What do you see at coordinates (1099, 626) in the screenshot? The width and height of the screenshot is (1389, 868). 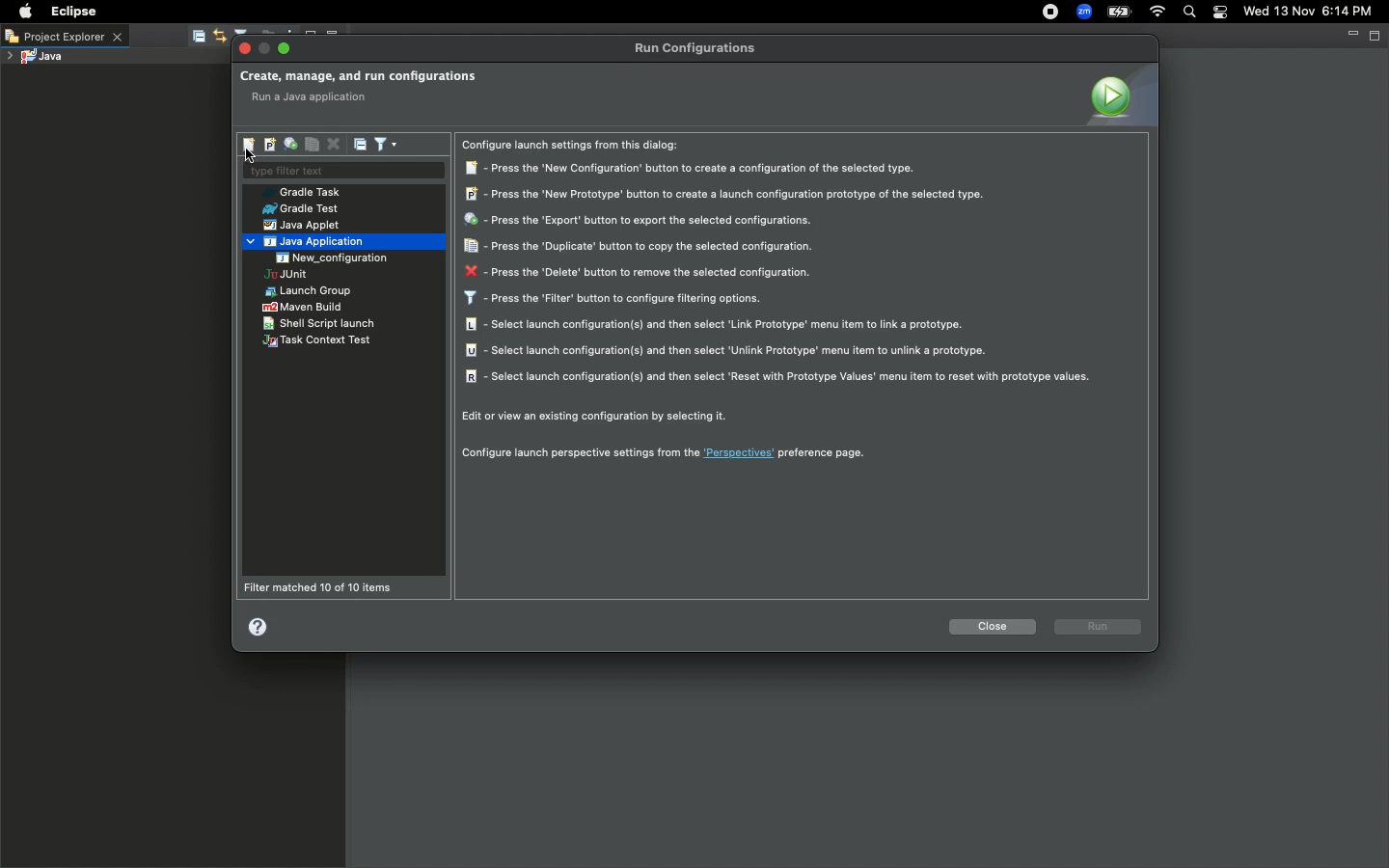 I see `Run` at bounding box center [1099, 626].